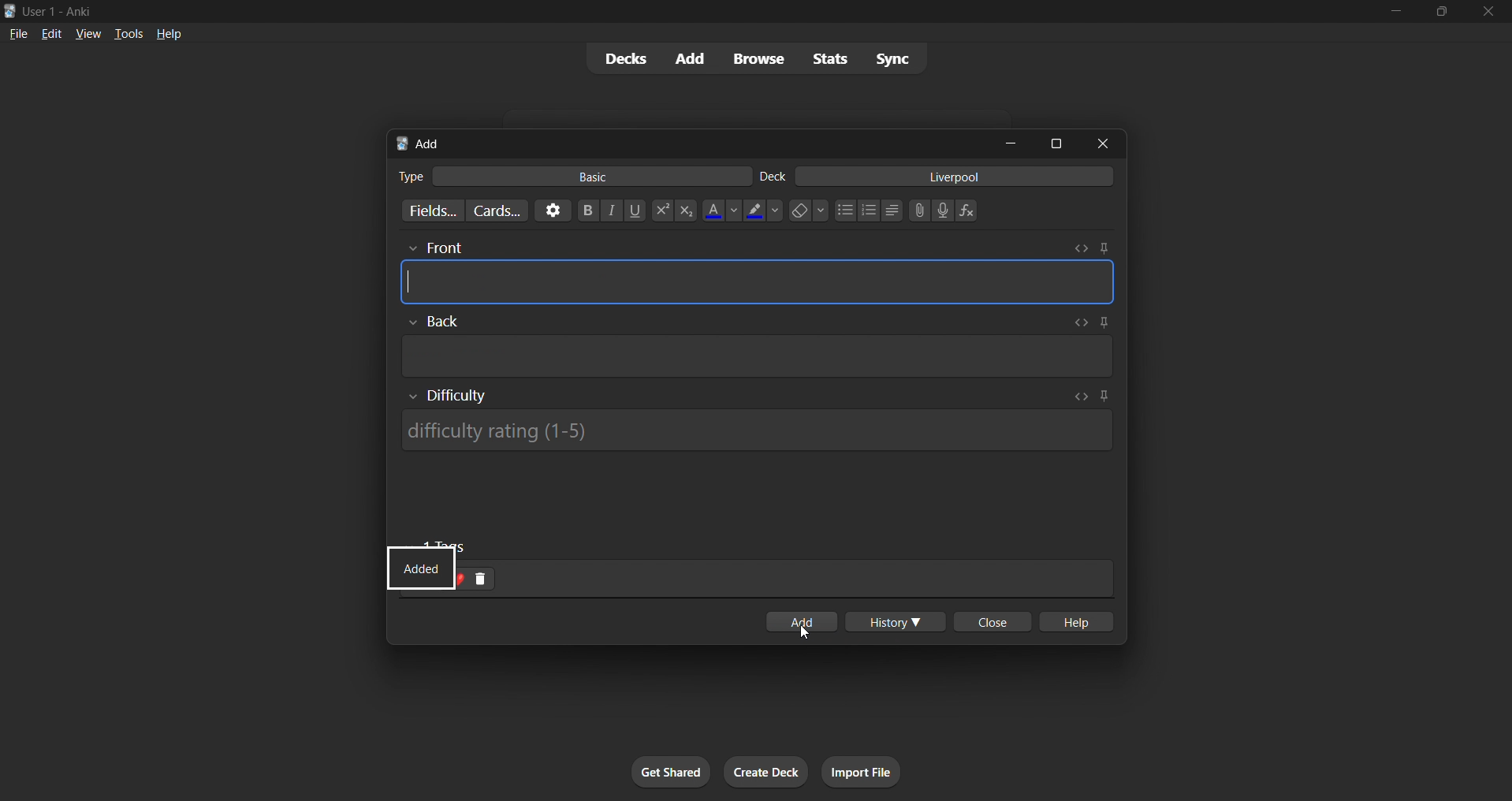 This screenshot has width=1512, height=801. I want to click on add card title bar, so click(689, 141).